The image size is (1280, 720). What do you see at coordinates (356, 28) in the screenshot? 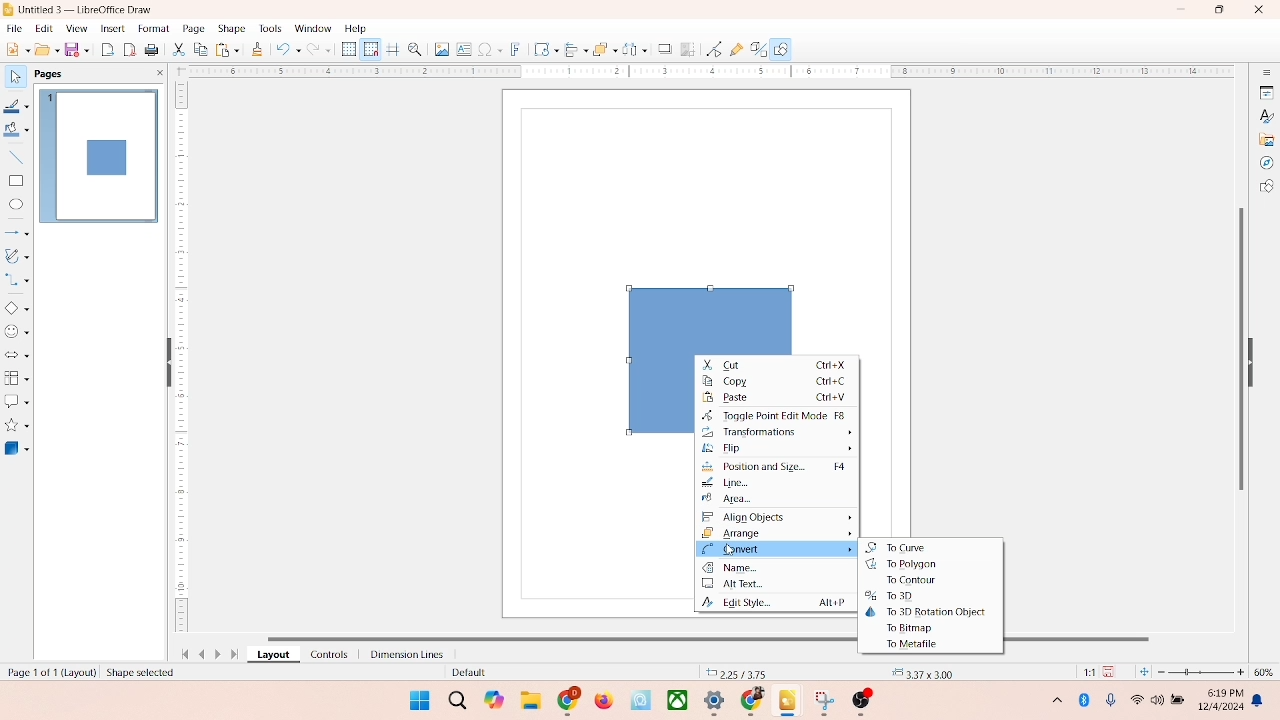
I see `help` at bounding box center [356, 28].